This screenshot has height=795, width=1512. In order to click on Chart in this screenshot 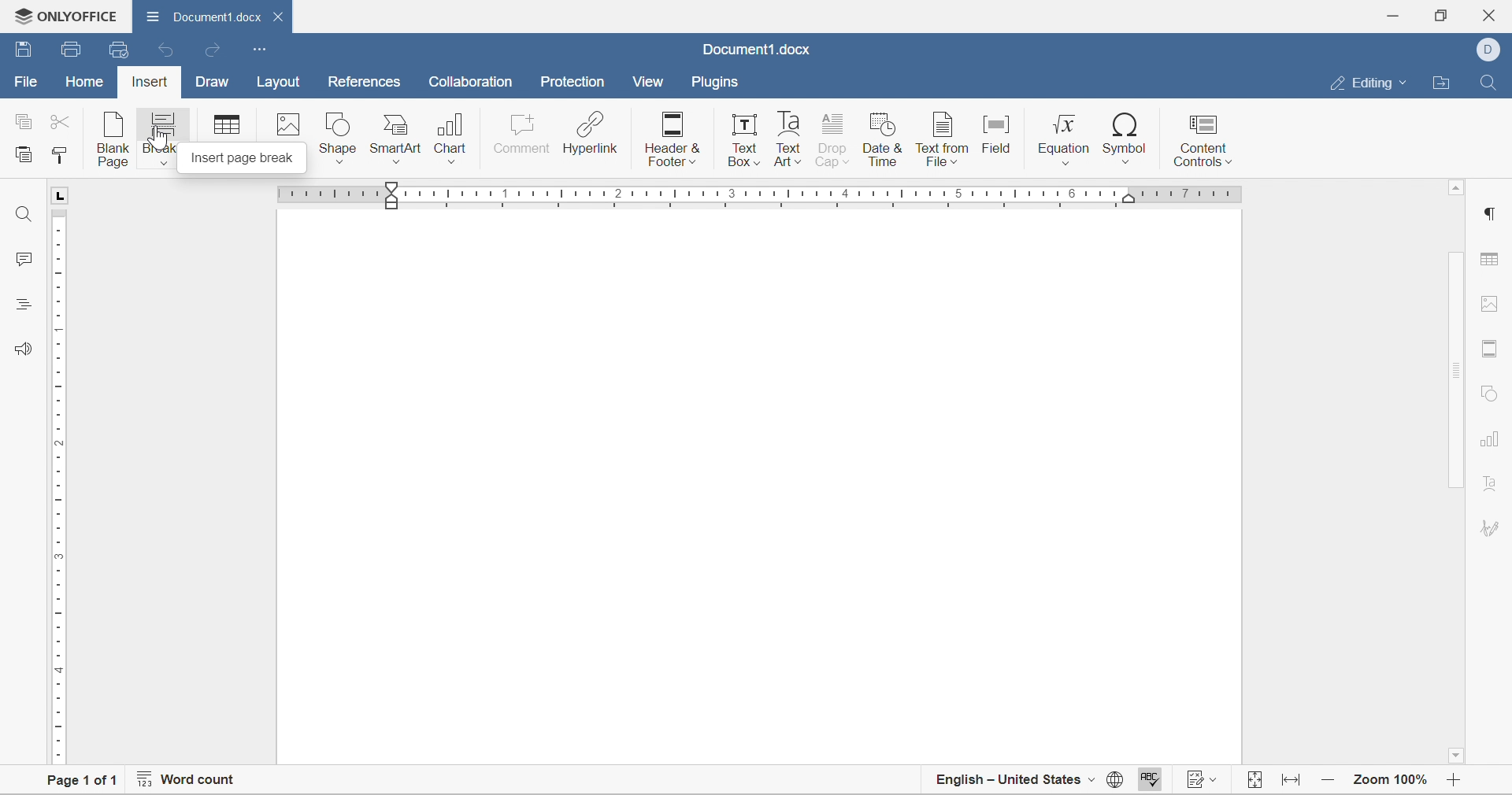, I will do `click(453, 140)`.